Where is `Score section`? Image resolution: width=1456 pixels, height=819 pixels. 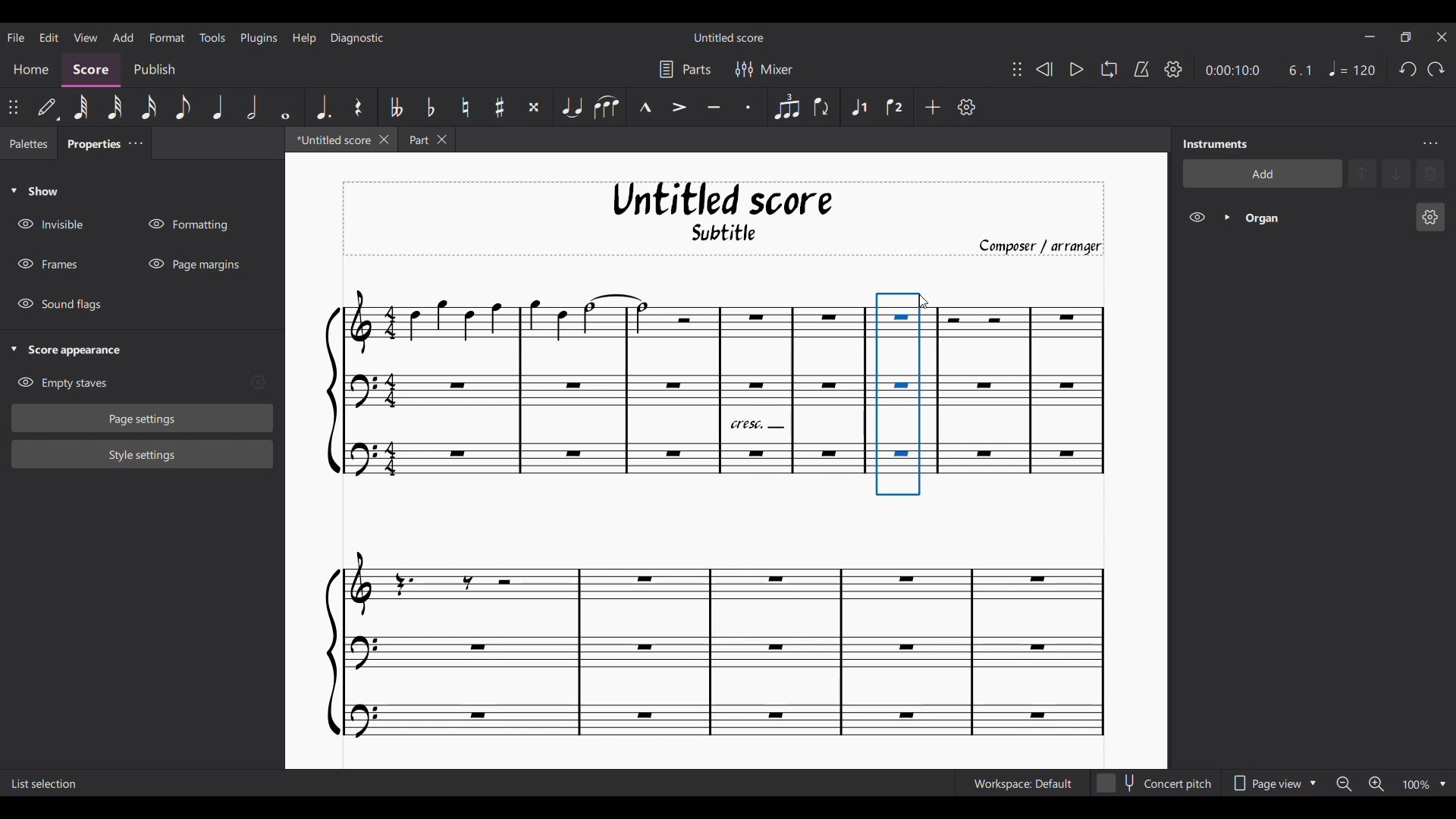
Score section is located at coordinates (90, 71).